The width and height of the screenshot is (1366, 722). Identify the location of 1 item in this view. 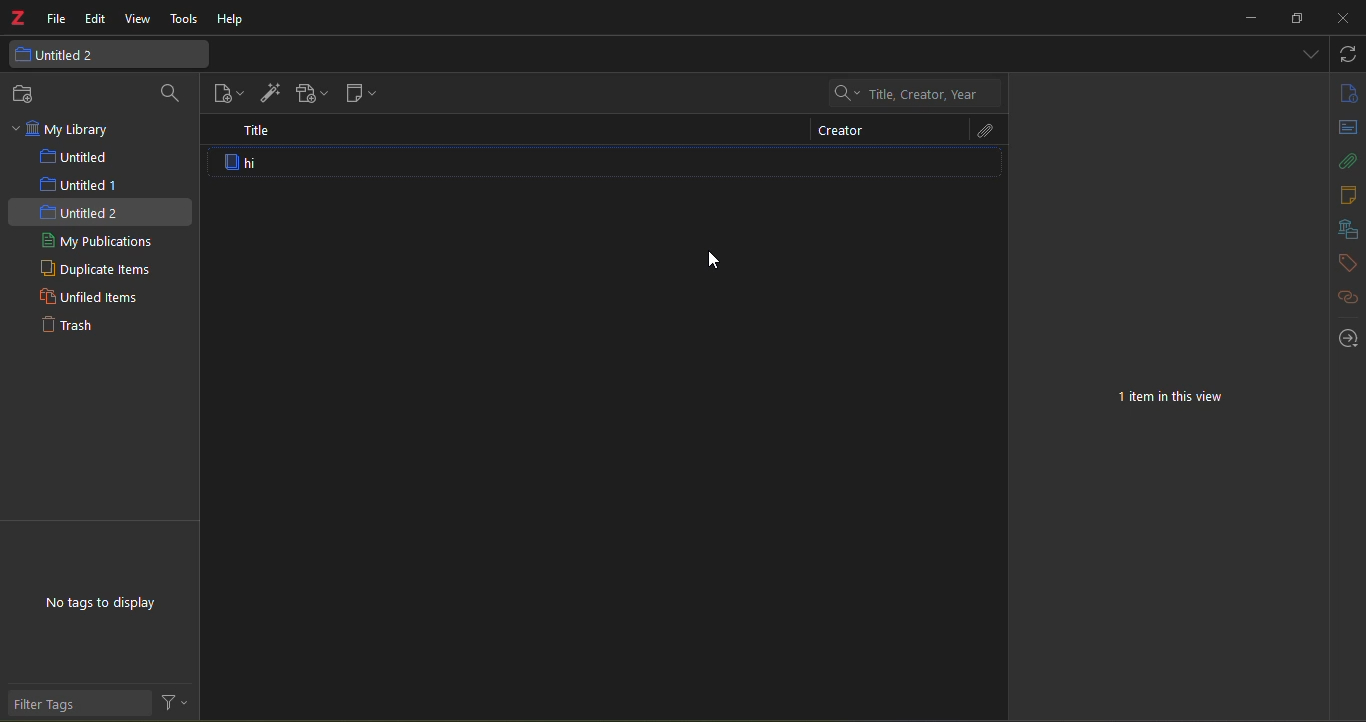
(1170, 398).